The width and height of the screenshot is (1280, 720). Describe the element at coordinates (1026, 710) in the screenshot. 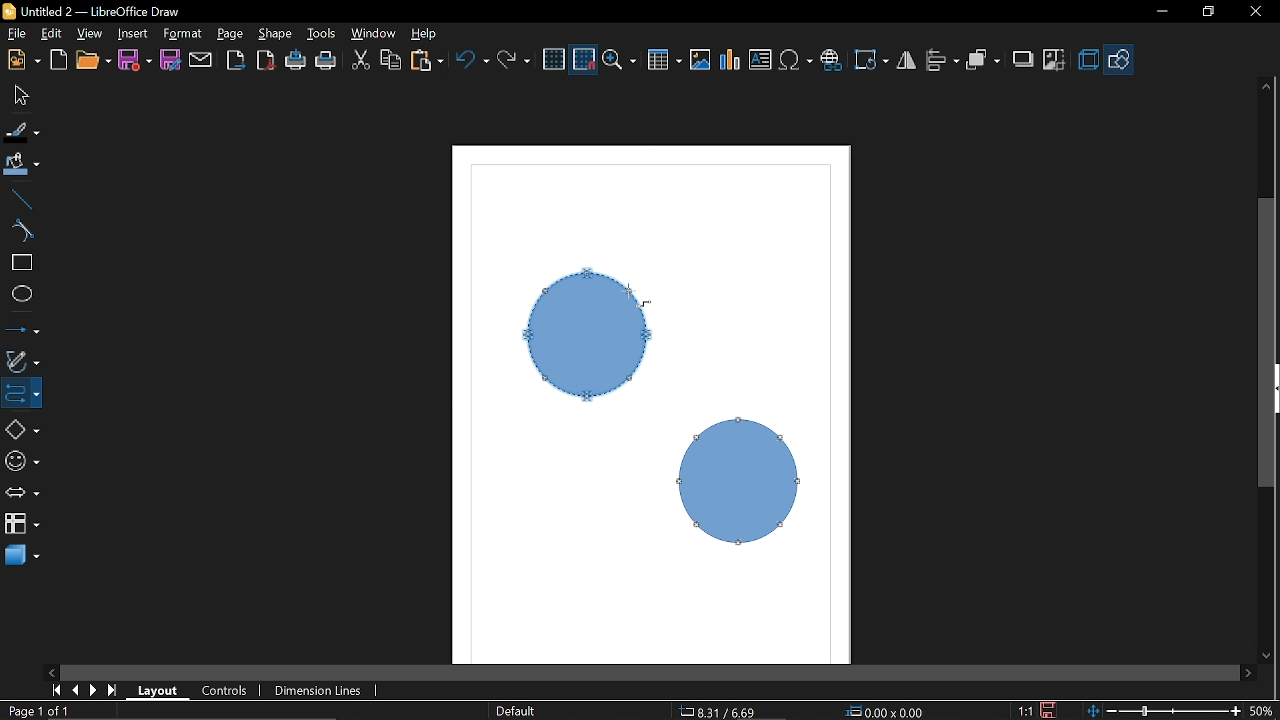

I see `Scaling factor` at that location.